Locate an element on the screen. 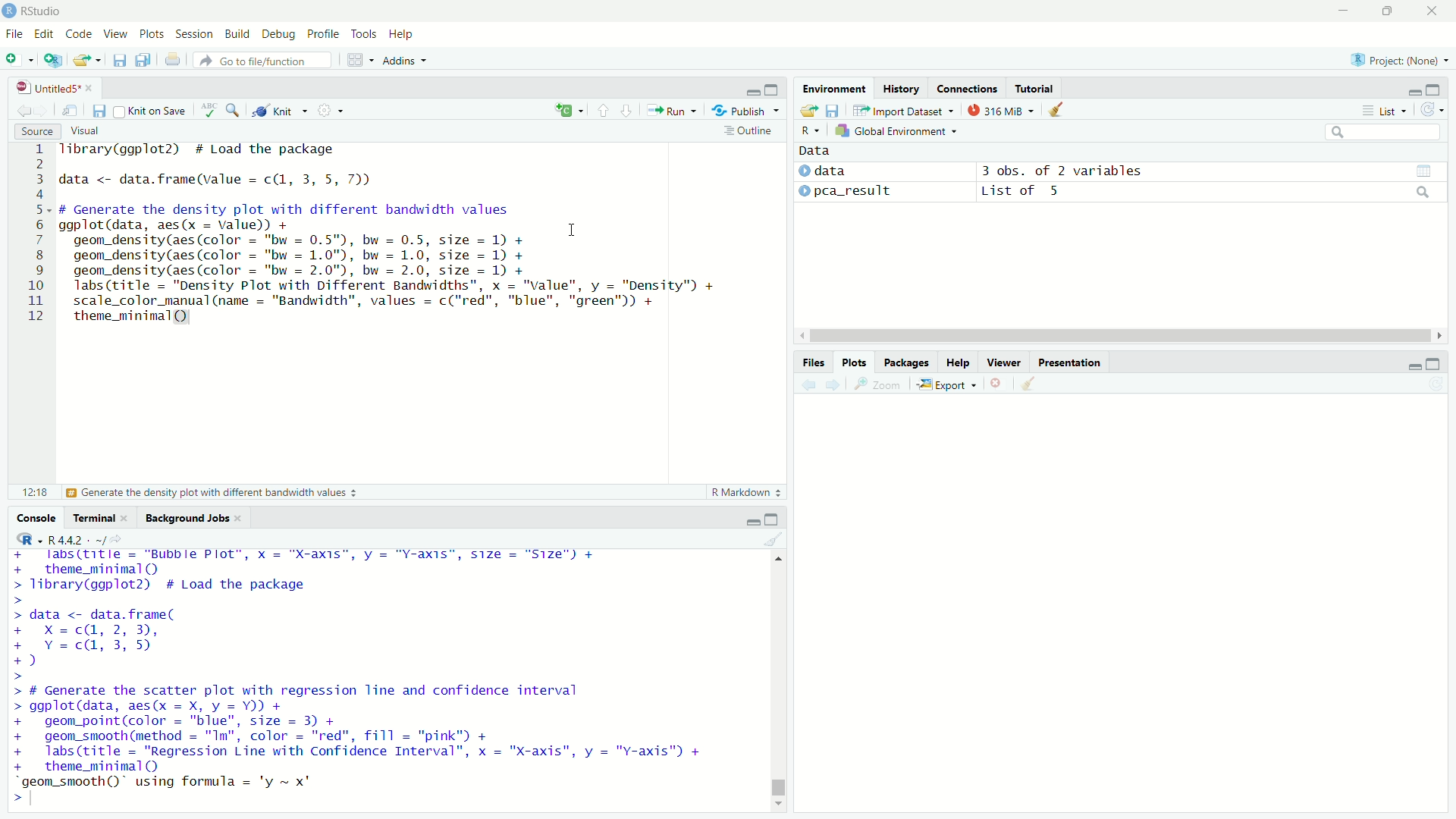  Clear all plots is located at coordinates (1028, 384).